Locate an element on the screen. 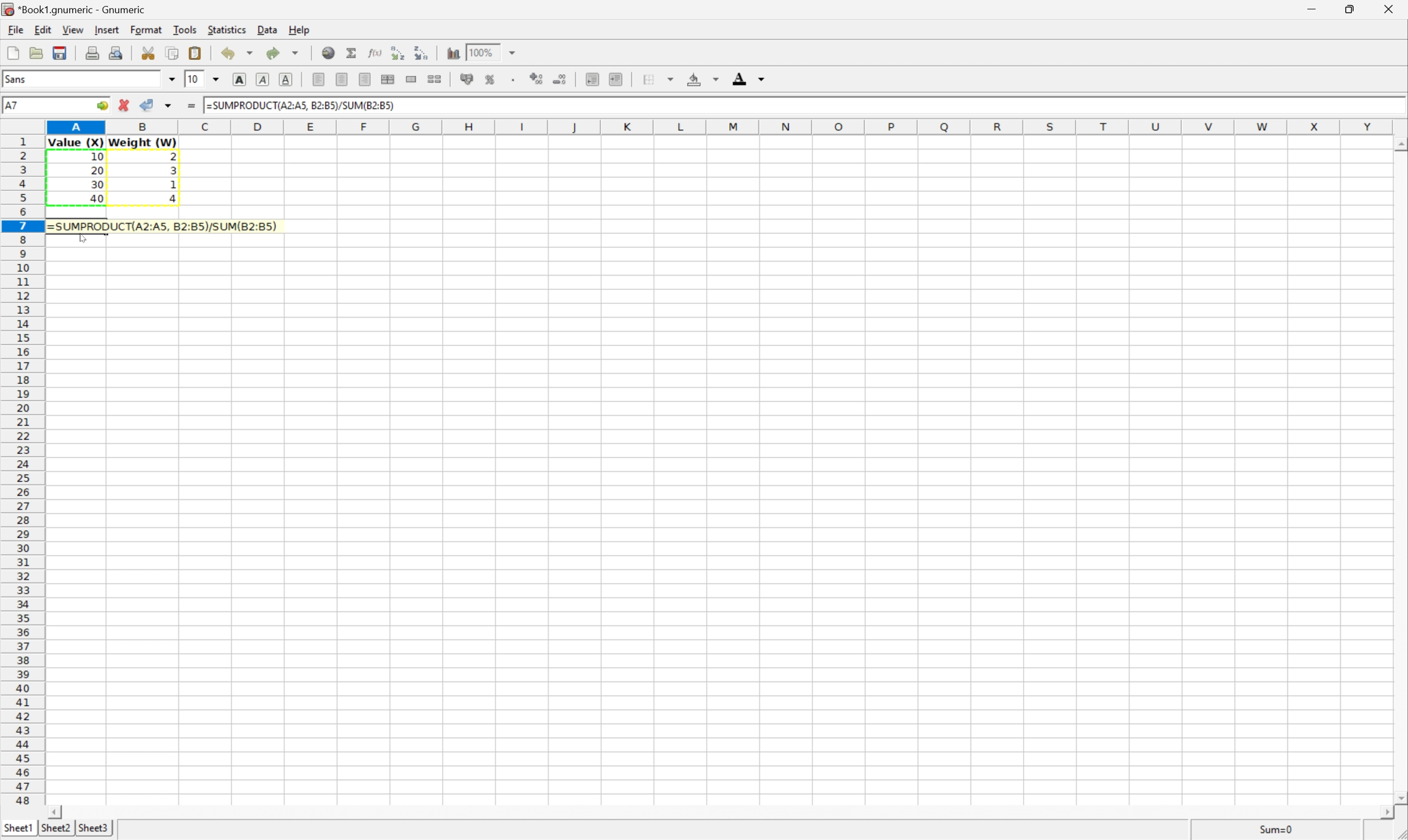 The width and height of the screenshot is (1408, 840). Sheet2 is located at coordinates (57, 829).